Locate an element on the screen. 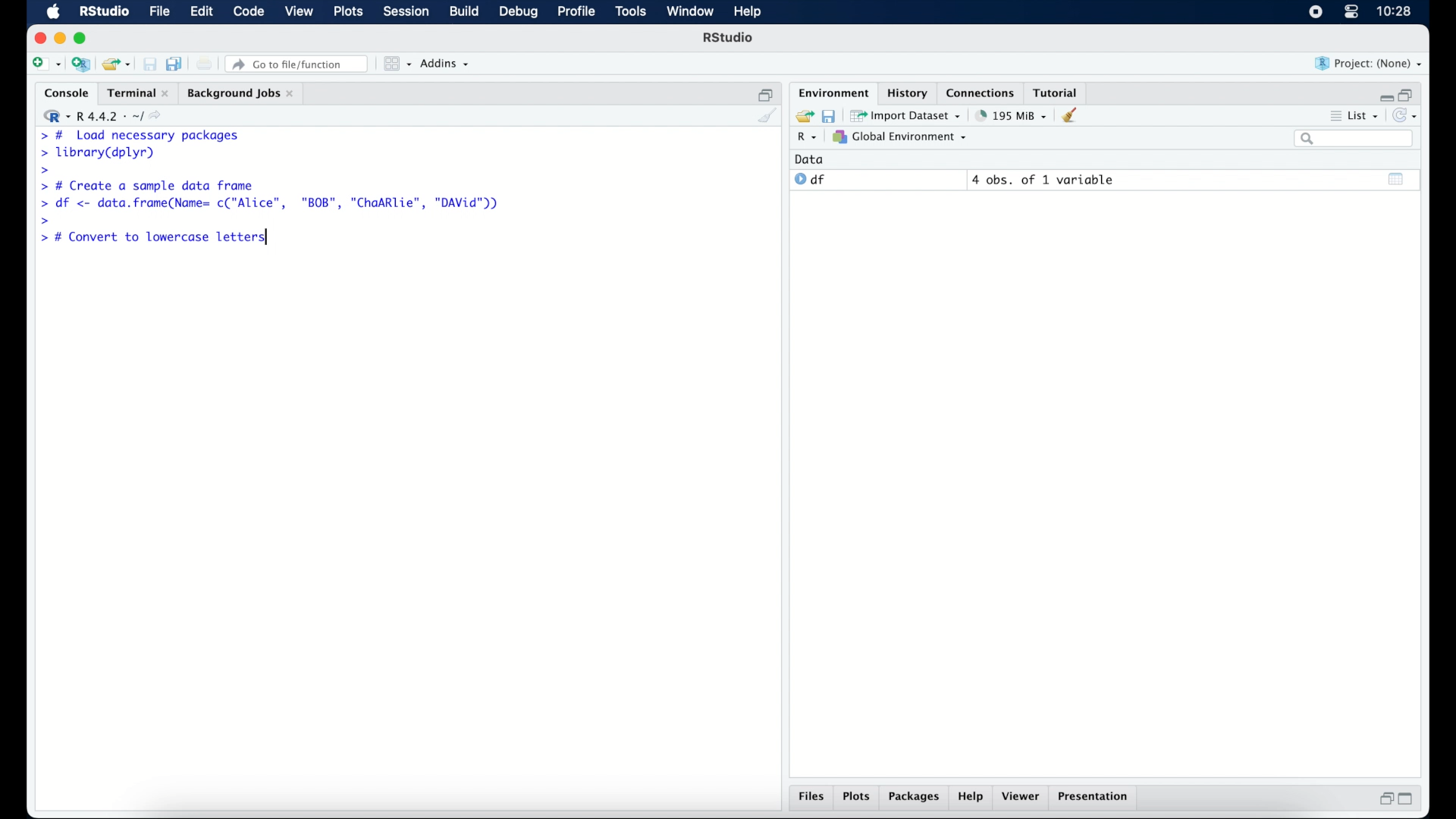 The width and height of the screenshot is (1456, 819). maximize is located at coordinates (83, 38).